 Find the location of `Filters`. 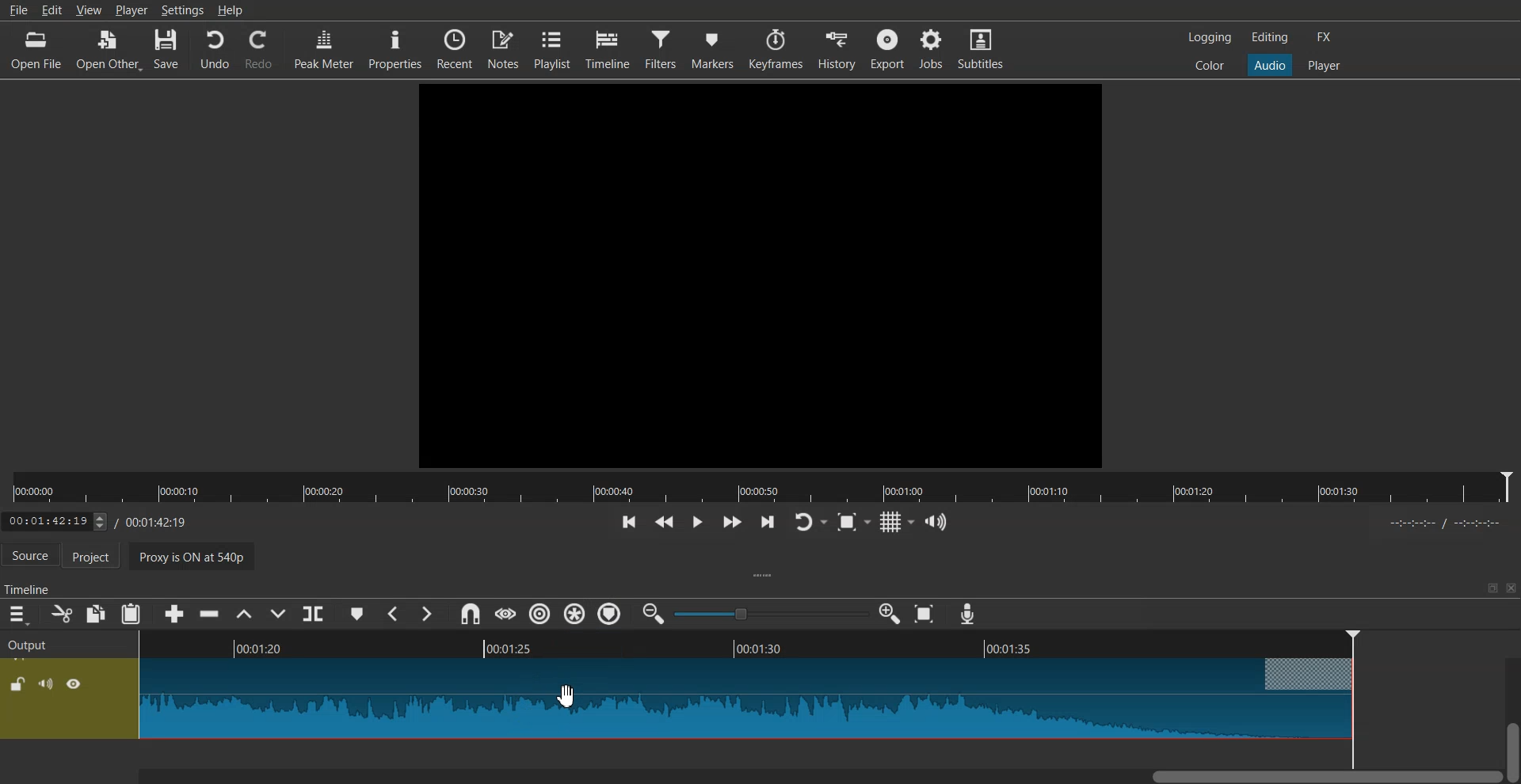

Filters is located at coordinates (663, 48).